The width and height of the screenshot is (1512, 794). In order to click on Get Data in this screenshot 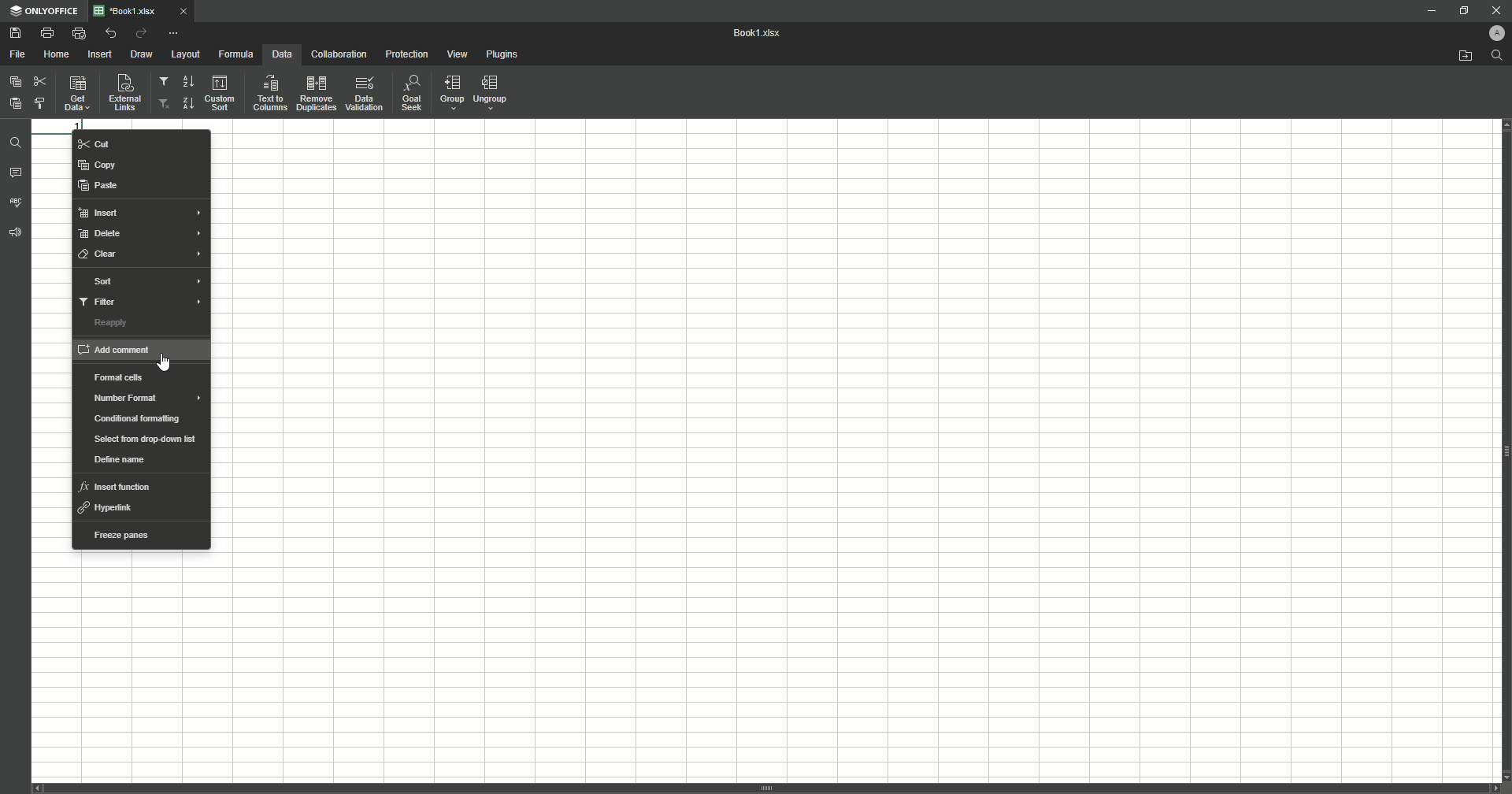, I will do `click(76, 95)`.